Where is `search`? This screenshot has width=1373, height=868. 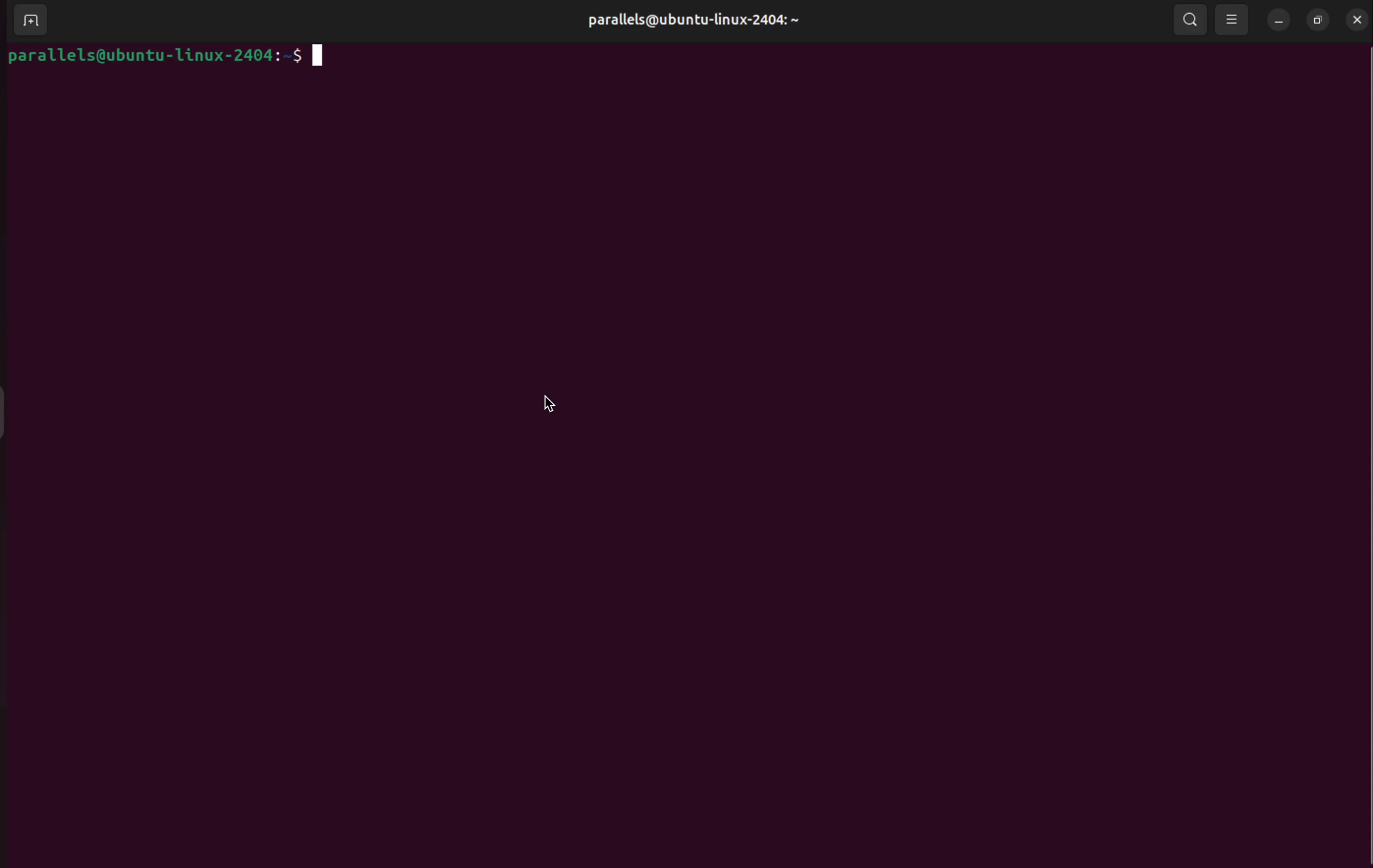 search is located at coordinates (1191, 21).